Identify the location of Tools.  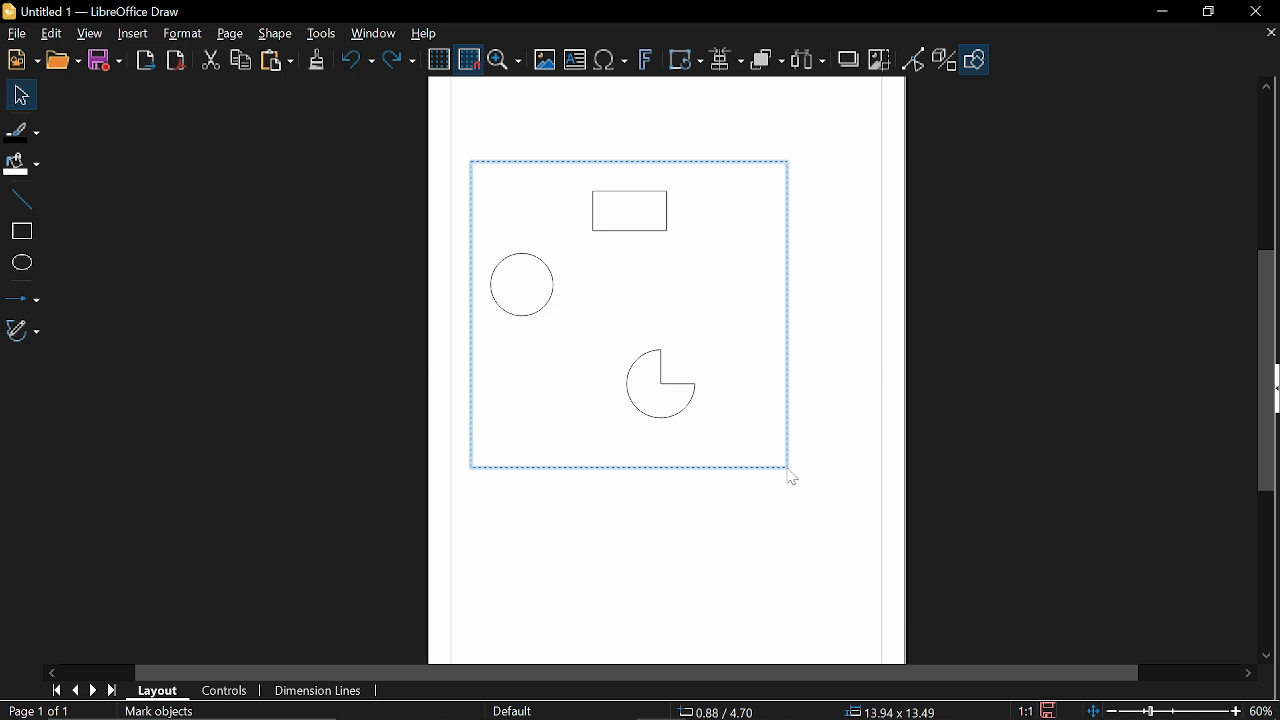
(322, 34).